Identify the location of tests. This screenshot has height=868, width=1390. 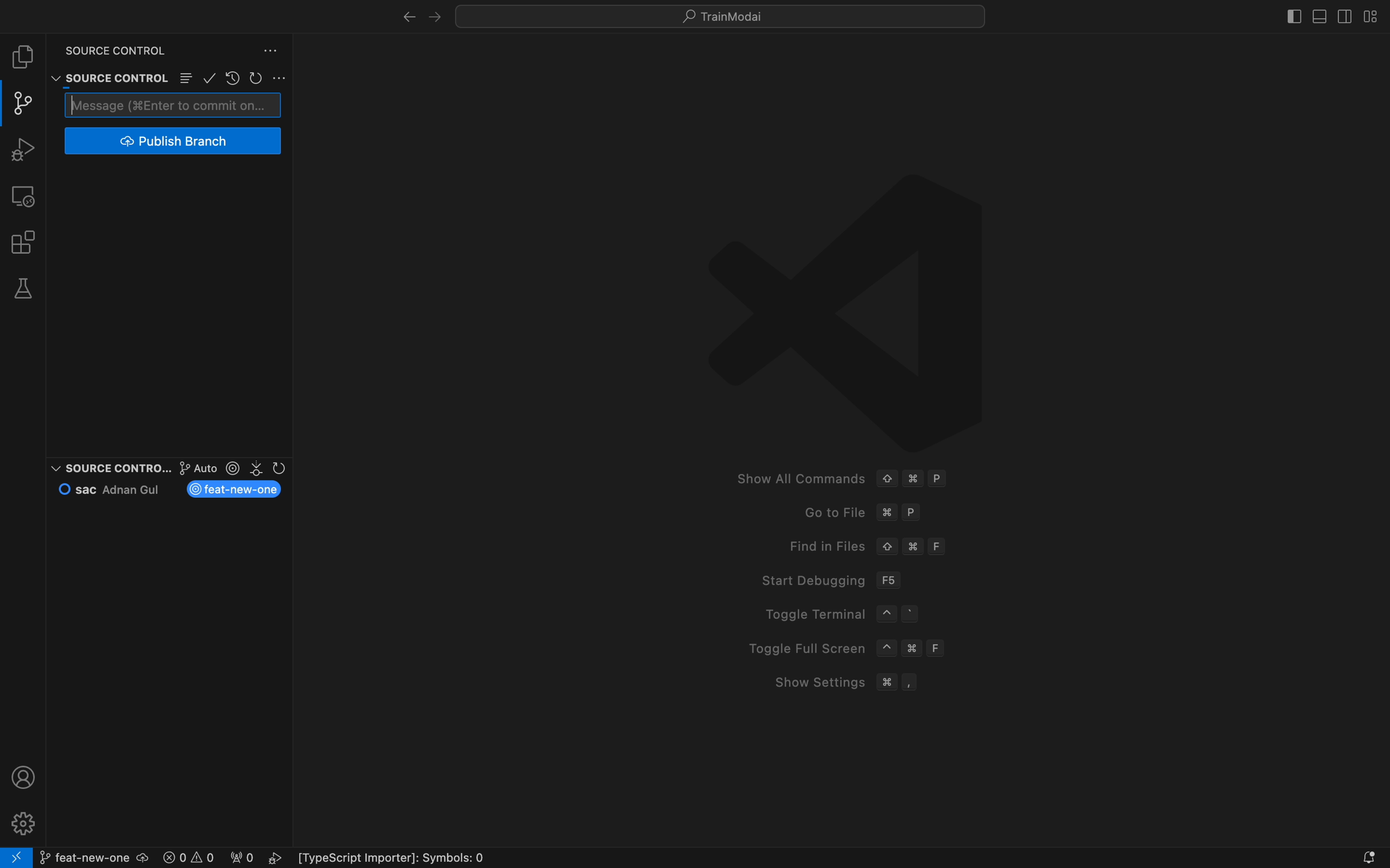
(27, 289).